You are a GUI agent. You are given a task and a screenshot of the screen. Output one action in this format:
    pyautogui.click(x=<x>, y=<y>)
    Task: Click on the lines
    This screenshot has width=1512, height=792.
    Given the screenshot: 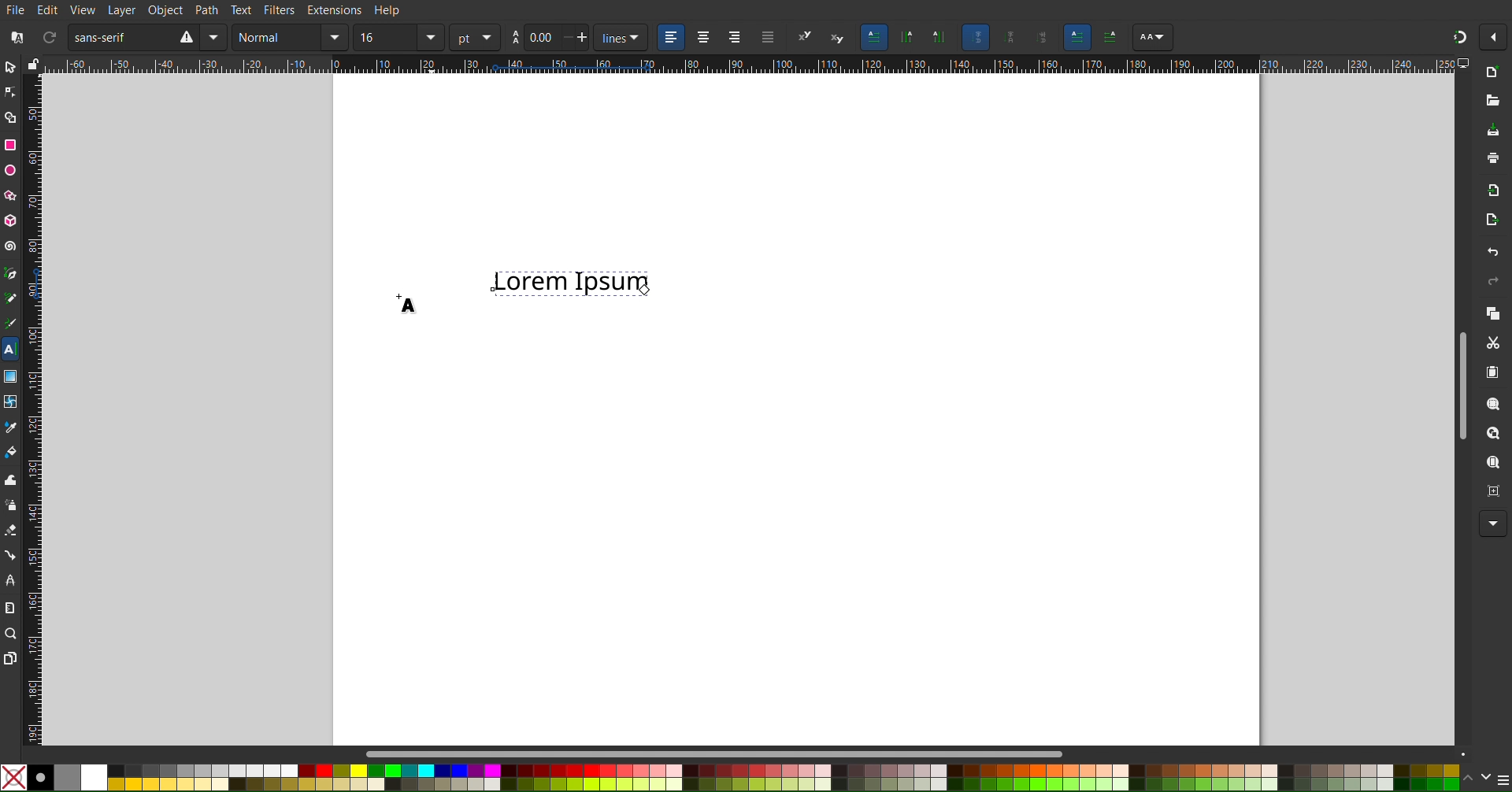 What is the action you would take?
    pyautogui.click(x=619, y=38)
    